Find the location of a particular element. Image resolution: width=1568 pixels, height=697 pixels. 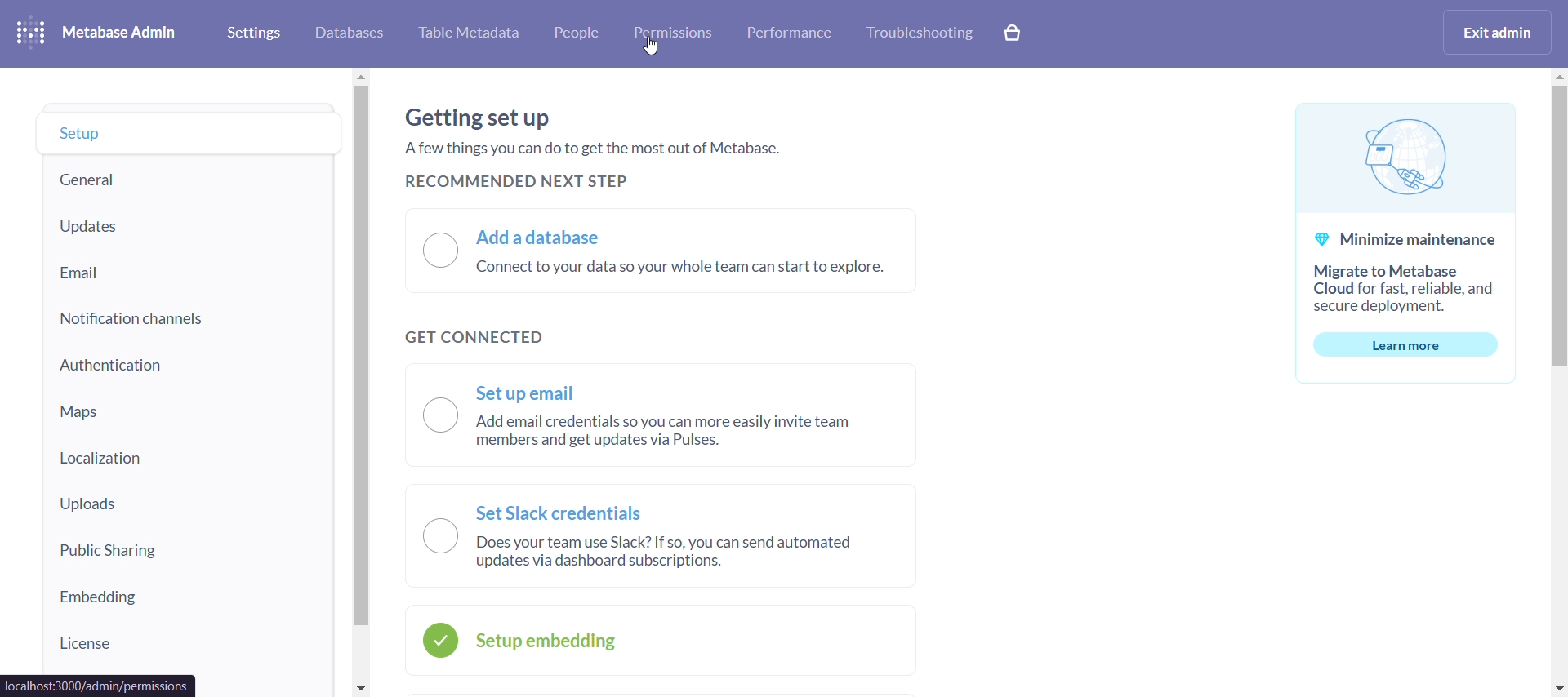

authentication is located at coordinates (187, 363).